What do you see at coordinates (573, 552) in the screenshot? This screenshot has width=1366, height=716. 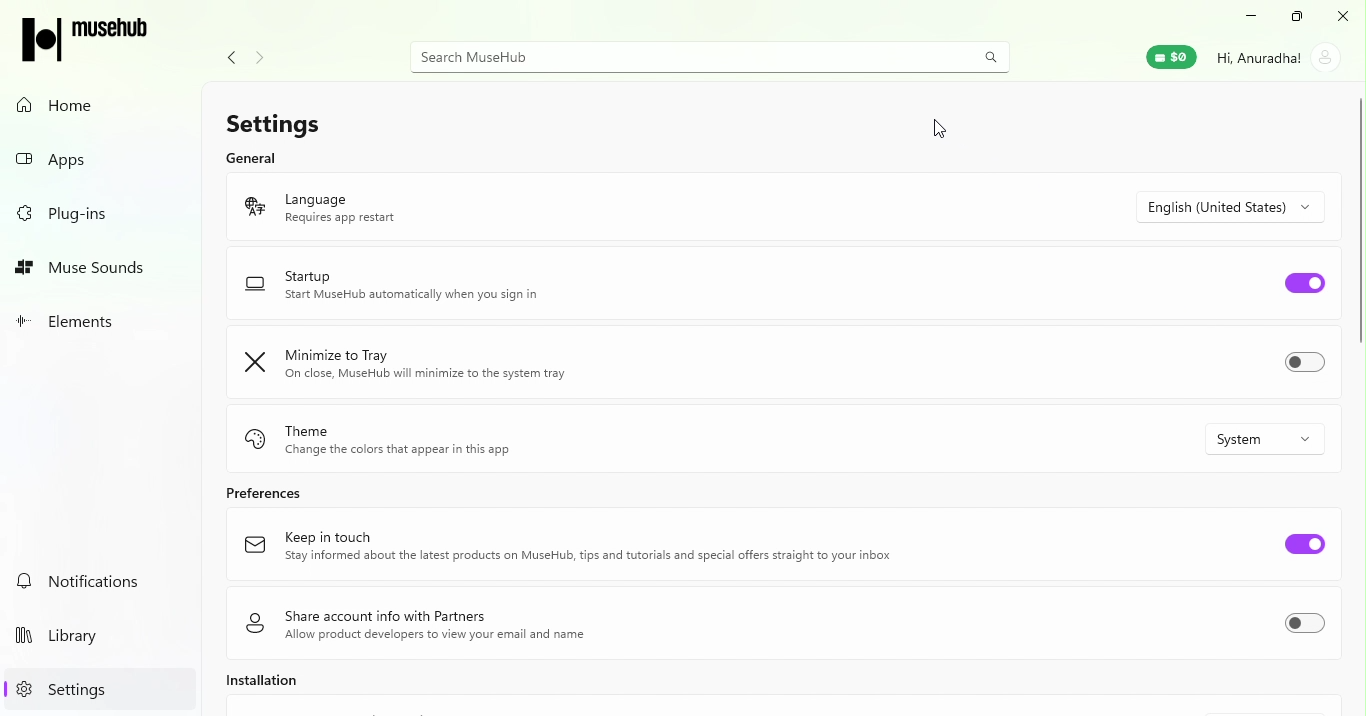 I see `Keep in touch` at bounding box center [573, 552].